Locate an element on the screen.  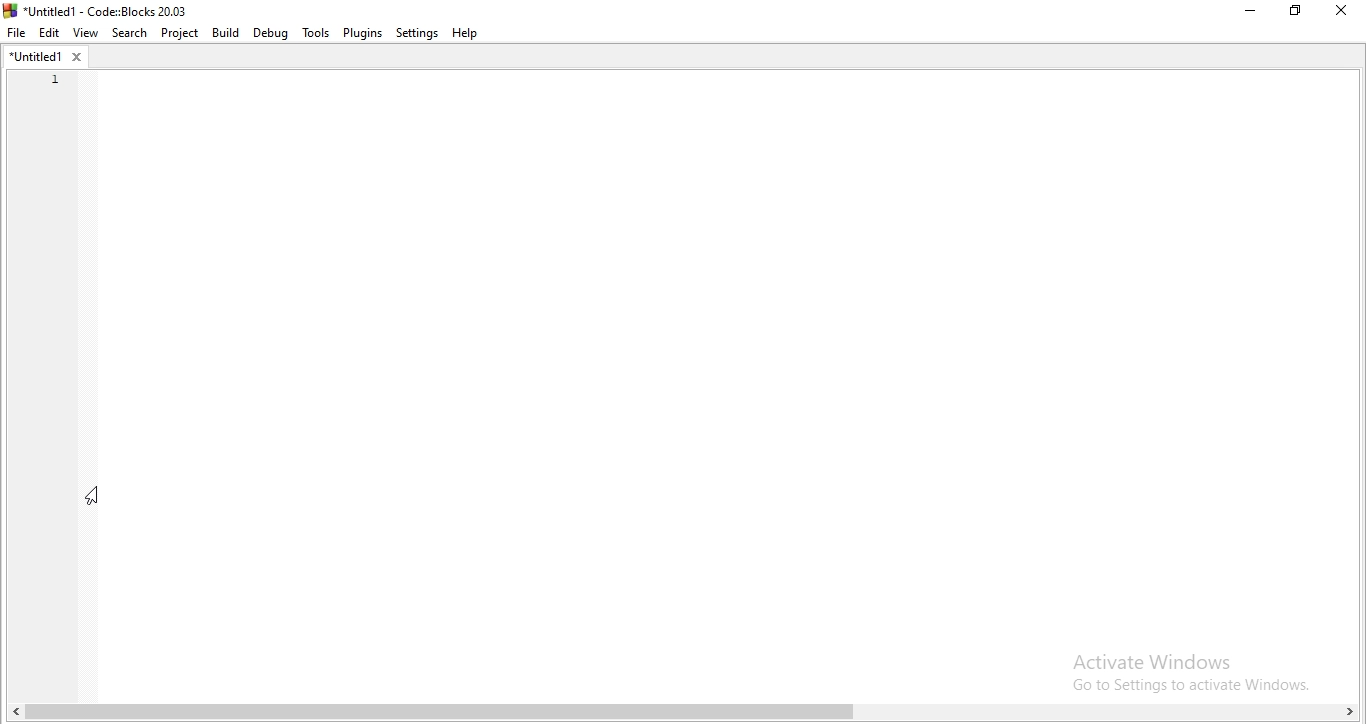
scroll bar is located at coordinates (683, 712).